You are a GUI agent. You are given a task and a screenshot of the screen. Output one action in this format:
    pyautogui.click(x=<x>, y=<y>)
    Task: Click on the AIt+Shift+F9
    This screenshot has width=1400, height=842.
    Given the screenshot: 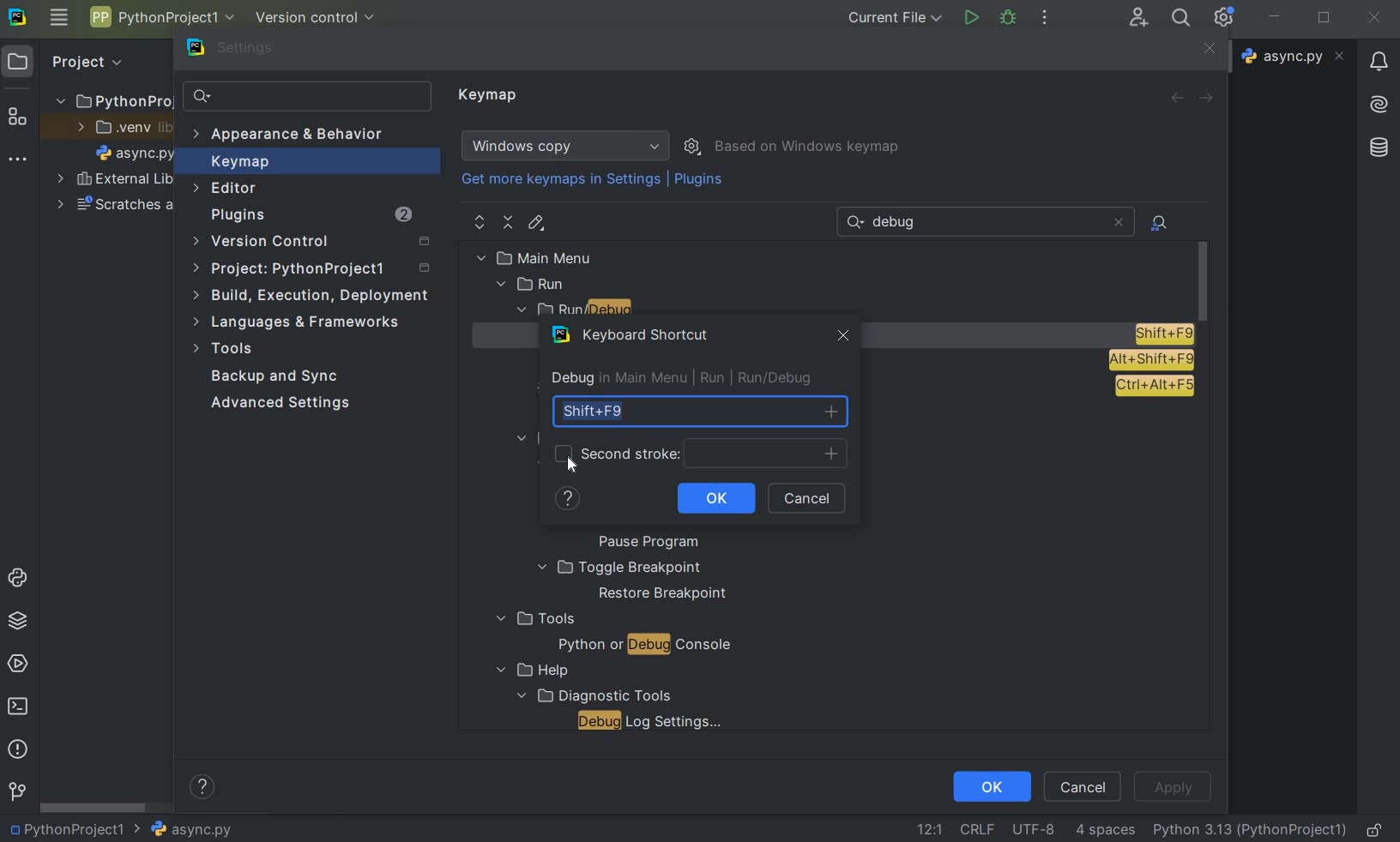 What is the action you would take?
    pyautogui.click(x=1151, y=360)
    